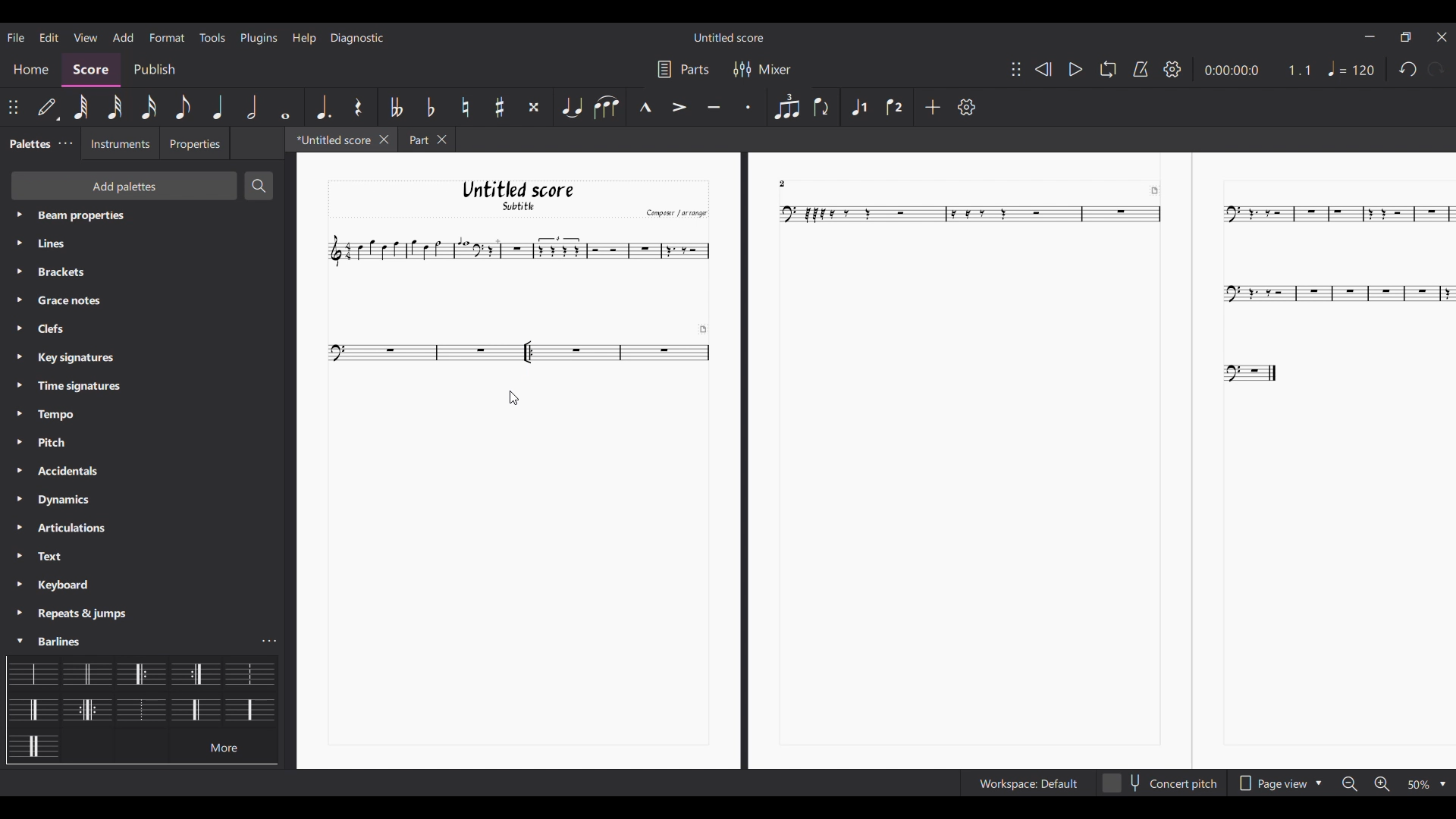 The width and height of the screenshot is (1456, 819). Describe the element at coordinates (56, 414) in the screenshot. I see `Palette settings` at that location.